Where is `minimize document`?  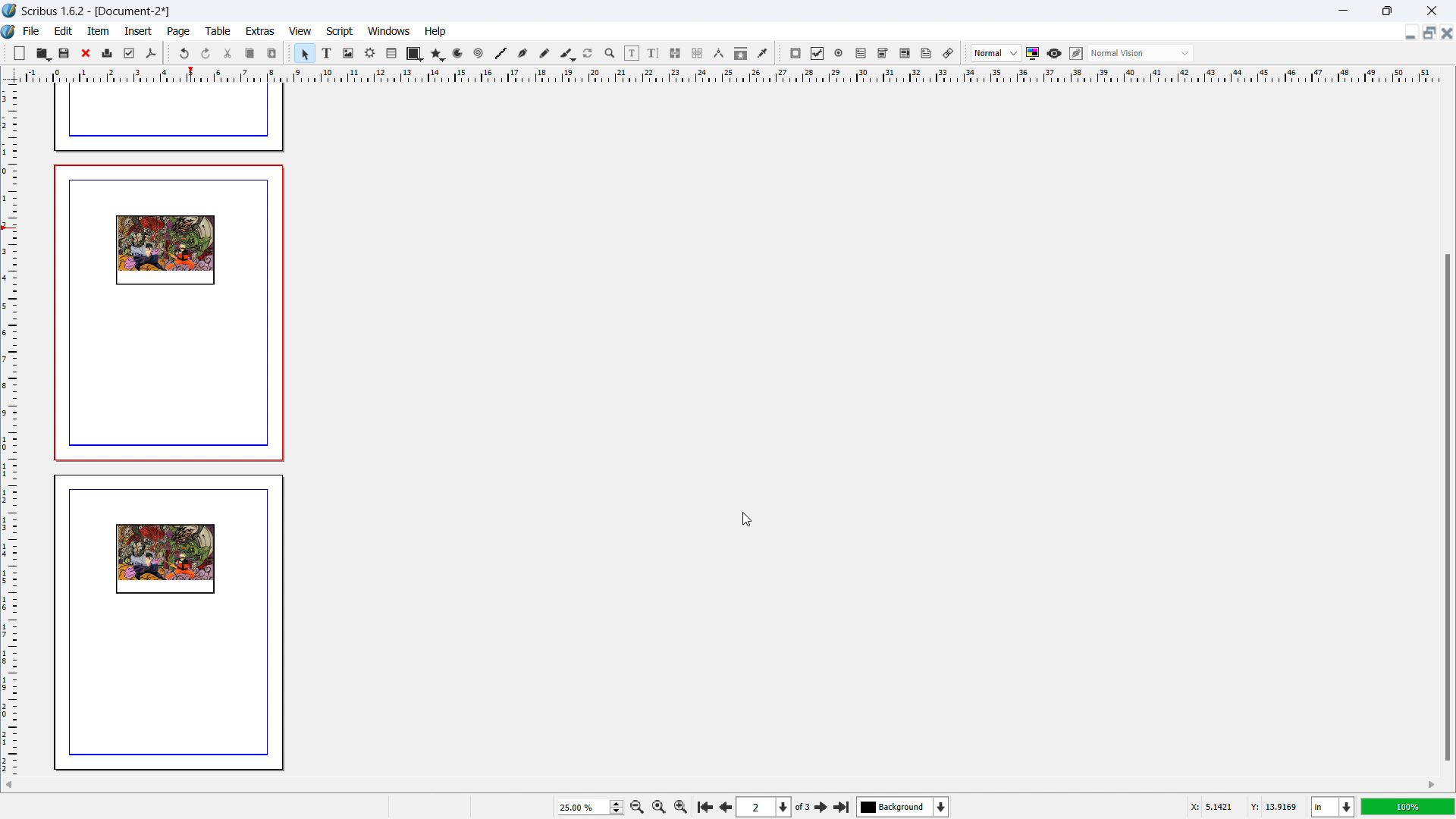 minimize document is located at coordinates (1408, 34).